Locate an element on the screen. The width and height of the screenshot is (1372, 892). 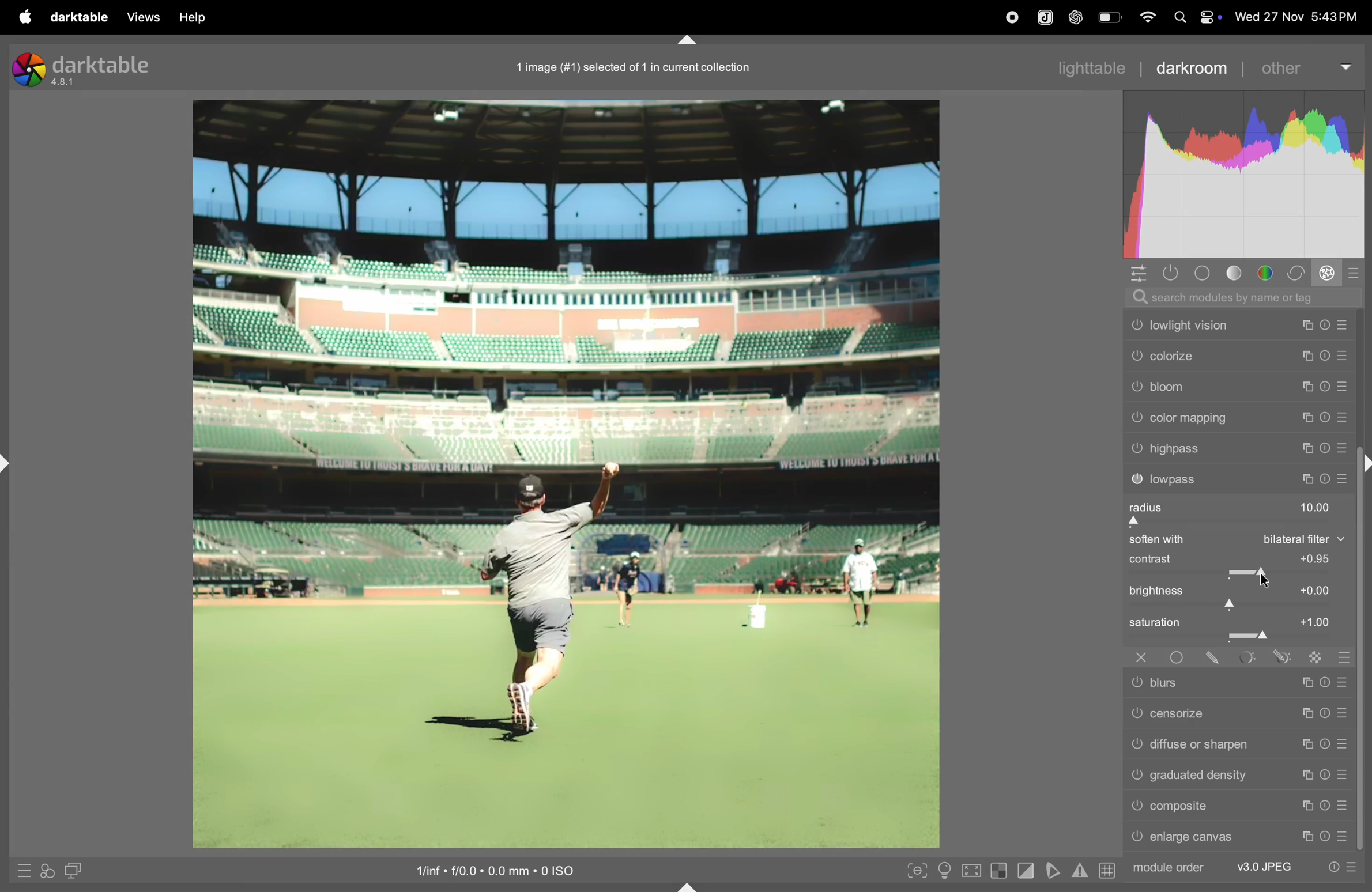
composite is located at coordinates (1241, 806).